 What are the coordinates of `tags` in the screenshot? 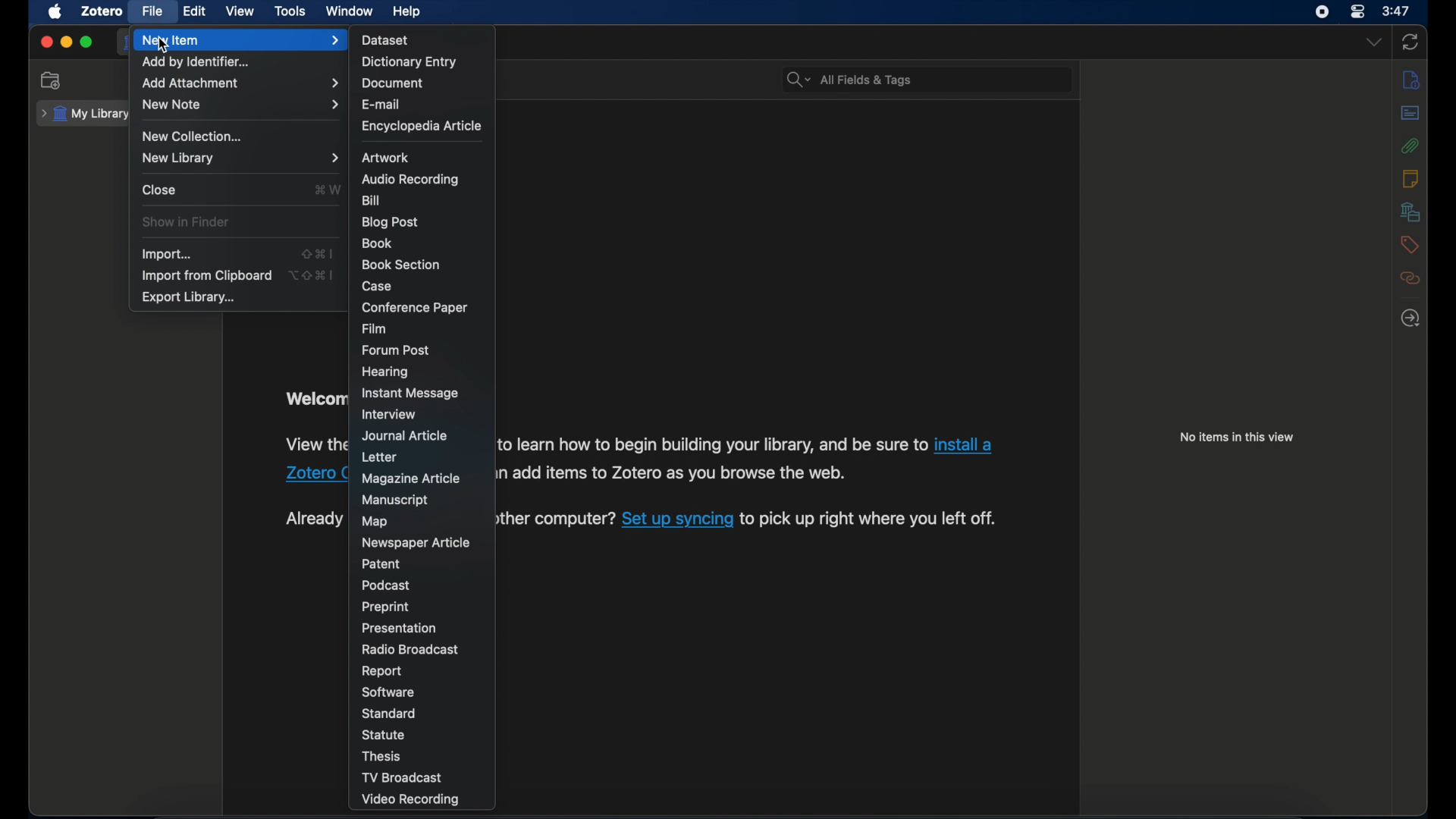 It's located at (1410, 245).